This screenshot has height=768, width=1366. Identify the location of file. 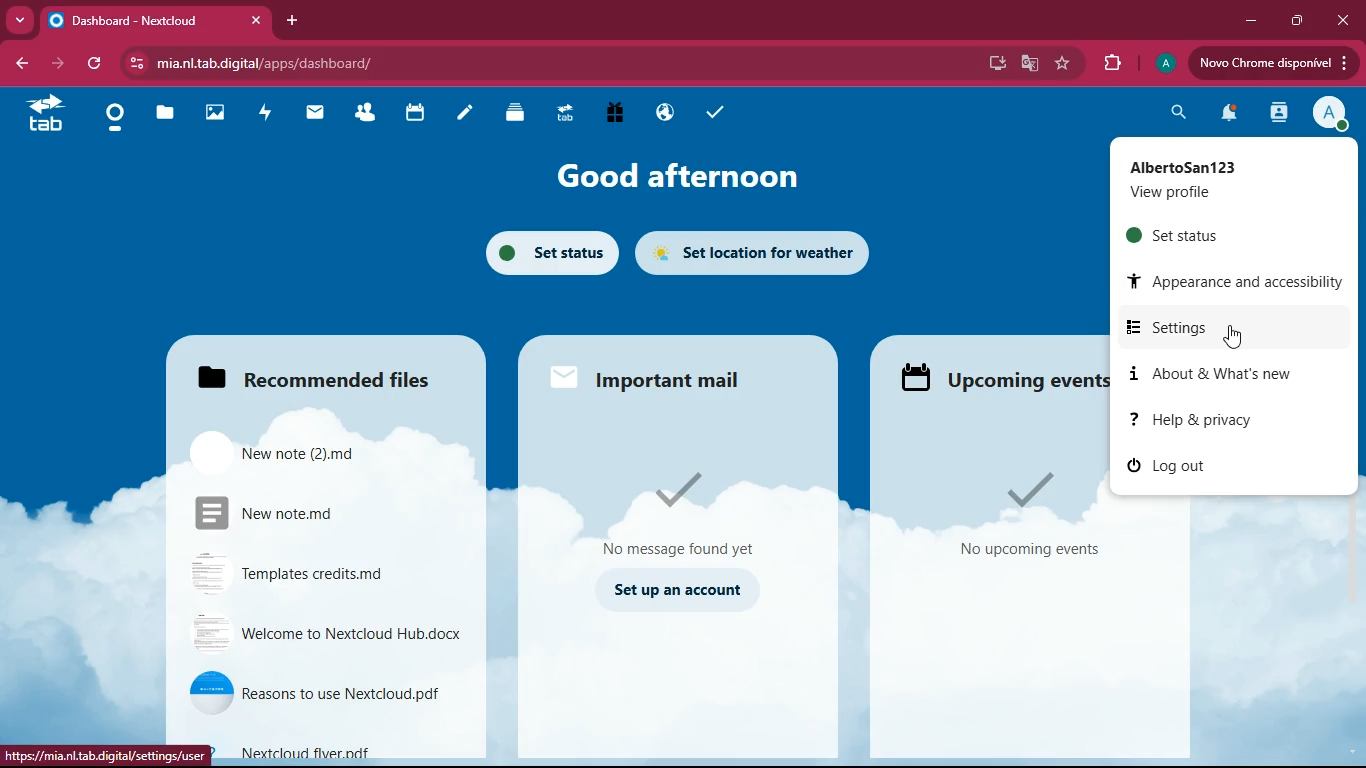
(325, 633).